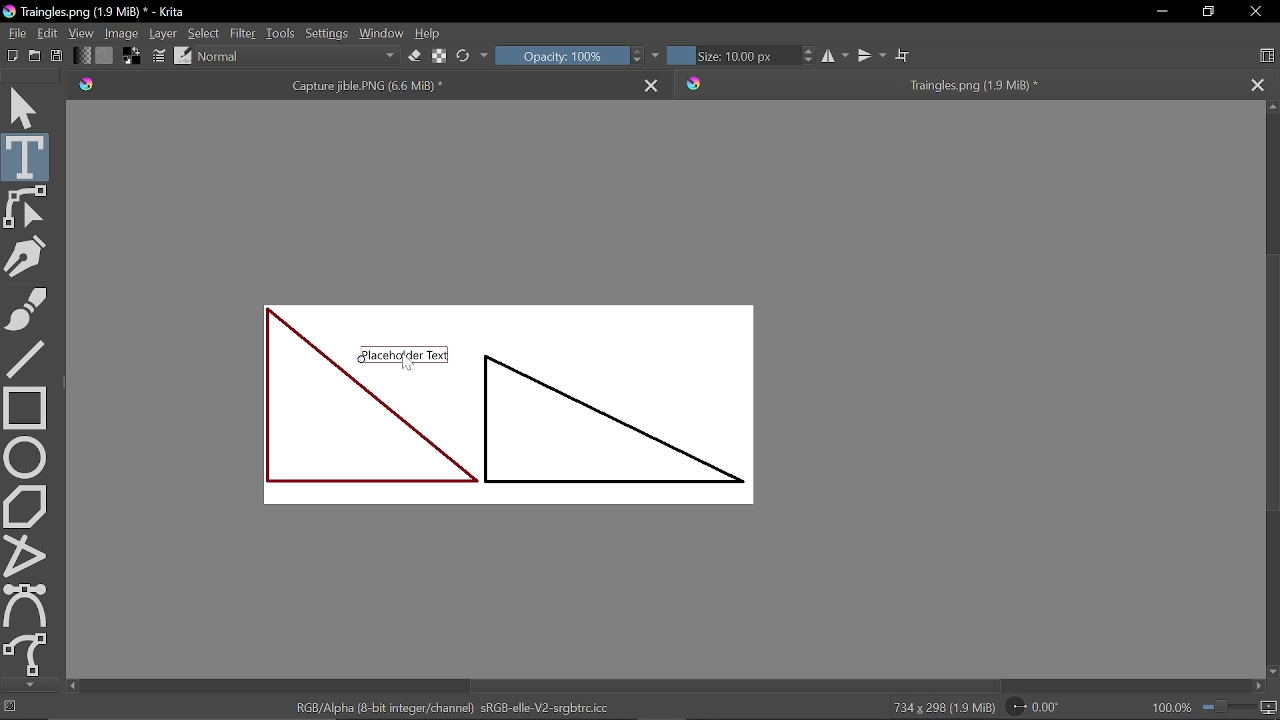  Describe the element at coordinates (1215, 707) in the screenshot. I see `100.0%` at that location.